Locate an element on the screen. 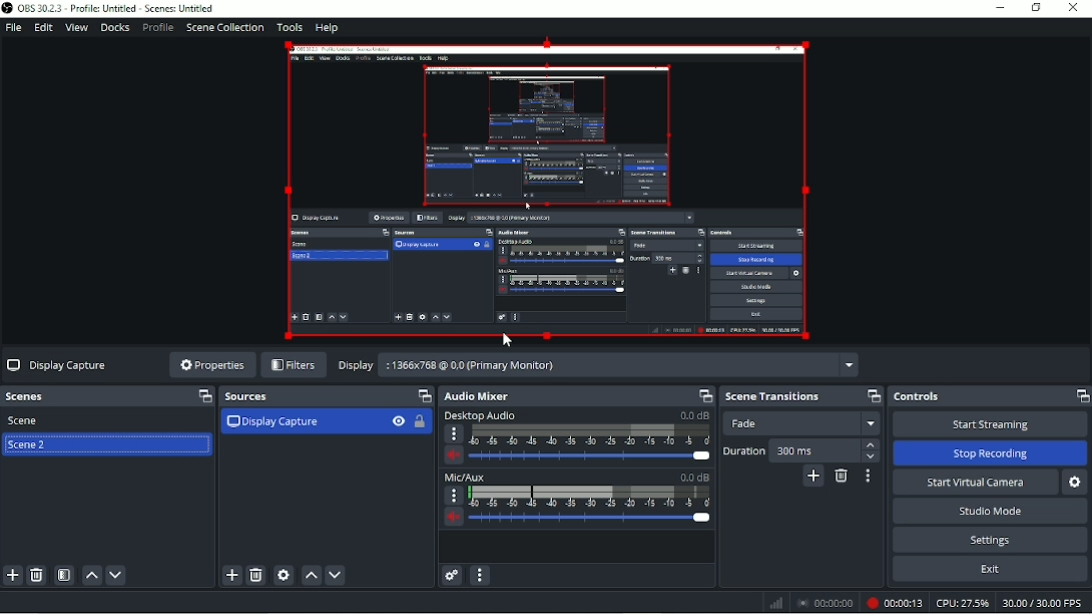 Image resolution: width=1092 pixels, height=614 pixels. Transition properties is located at coordinates (868, 476).